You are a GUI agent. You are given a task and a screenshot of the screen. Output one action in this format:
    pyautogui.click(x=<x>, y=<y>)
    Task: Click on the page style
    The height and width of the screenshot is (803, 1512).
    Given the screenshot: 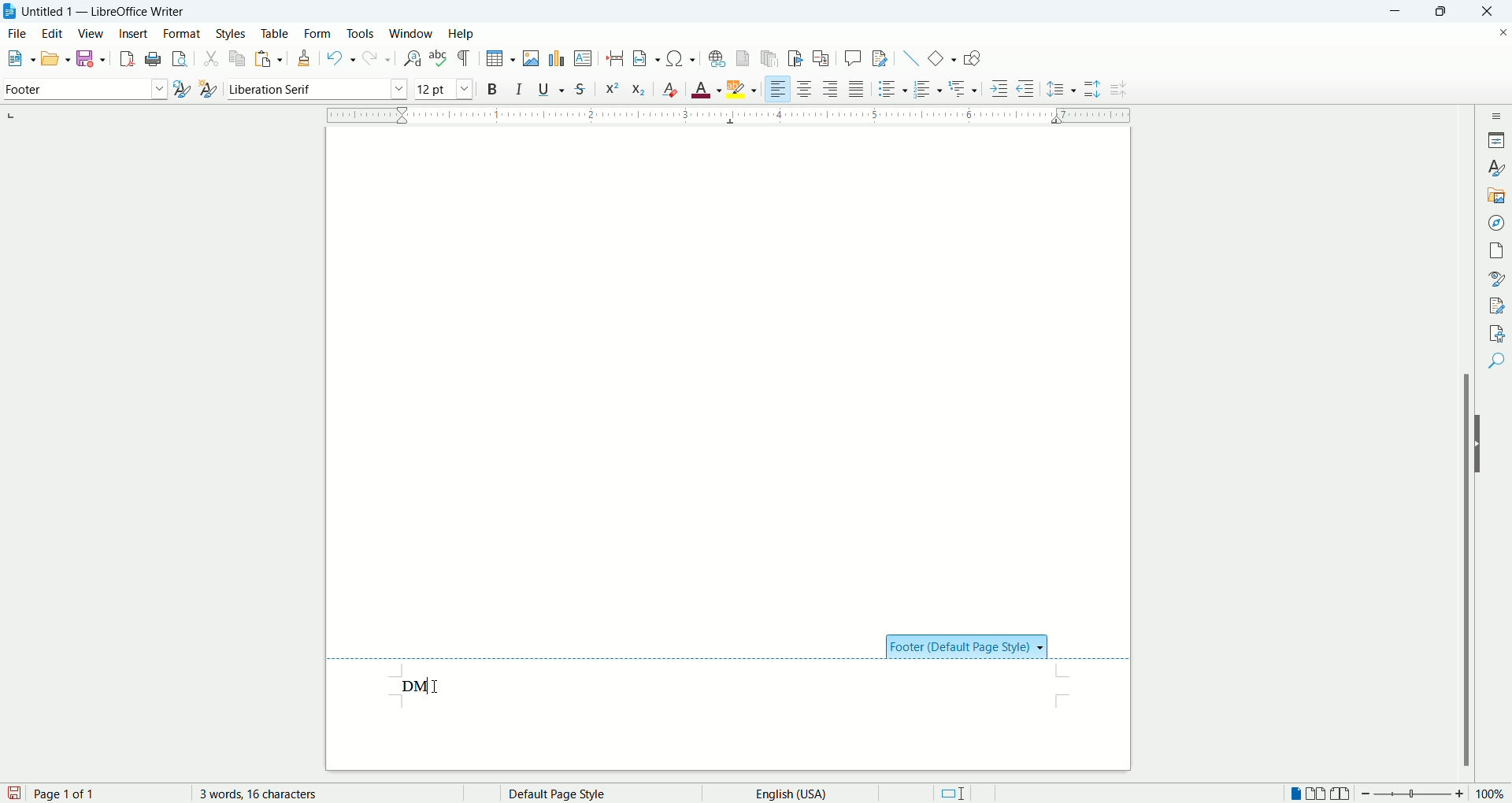 What is the action you would take?
    pyautogui.click(x=587, y=794)
    